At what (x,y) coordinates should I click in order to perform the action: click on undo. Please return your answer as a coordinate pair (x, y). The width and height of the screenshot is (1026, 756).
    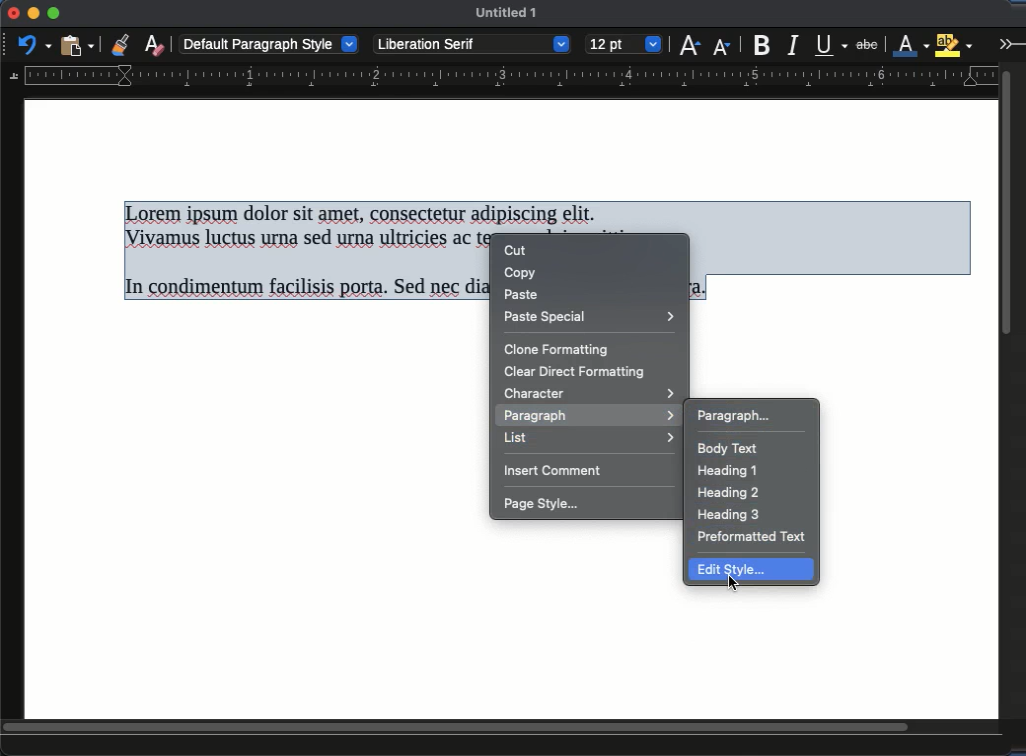
    Looking at the image, I should click on (35, 44).